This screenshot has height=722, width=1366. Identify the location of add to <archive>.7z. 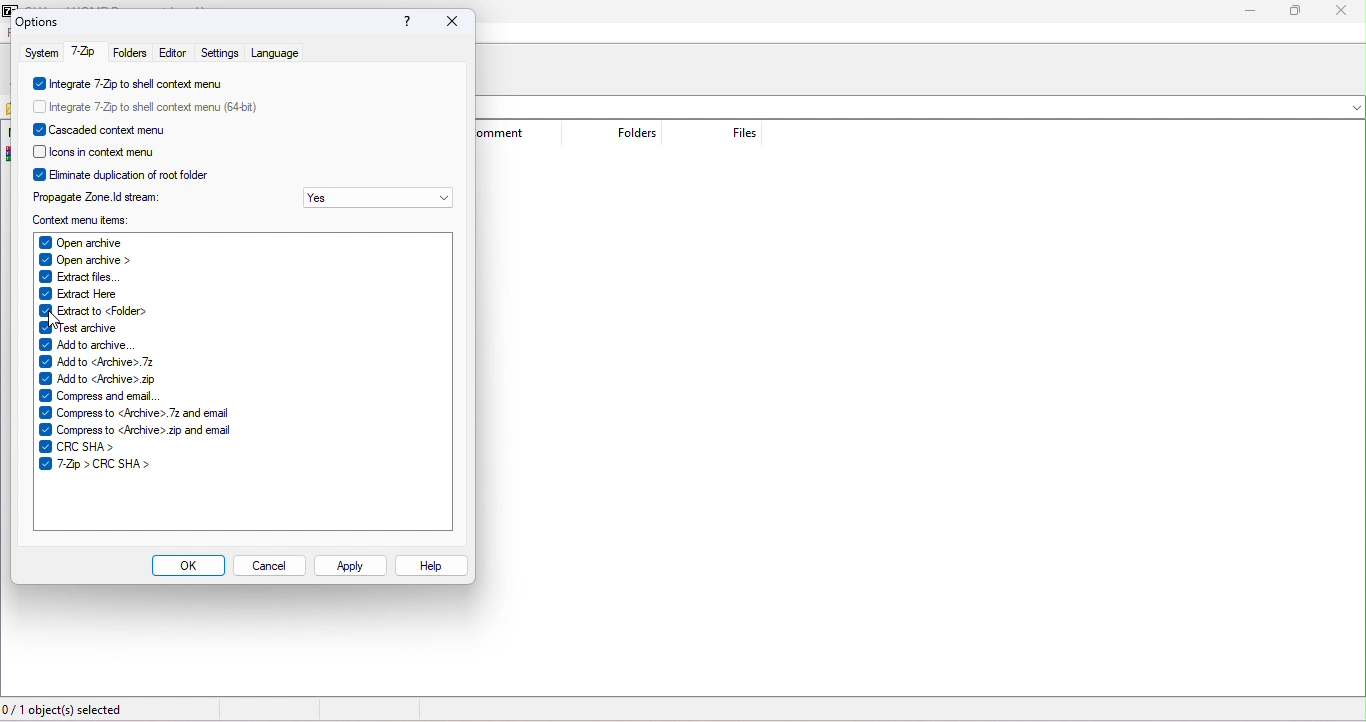
(98, 362).